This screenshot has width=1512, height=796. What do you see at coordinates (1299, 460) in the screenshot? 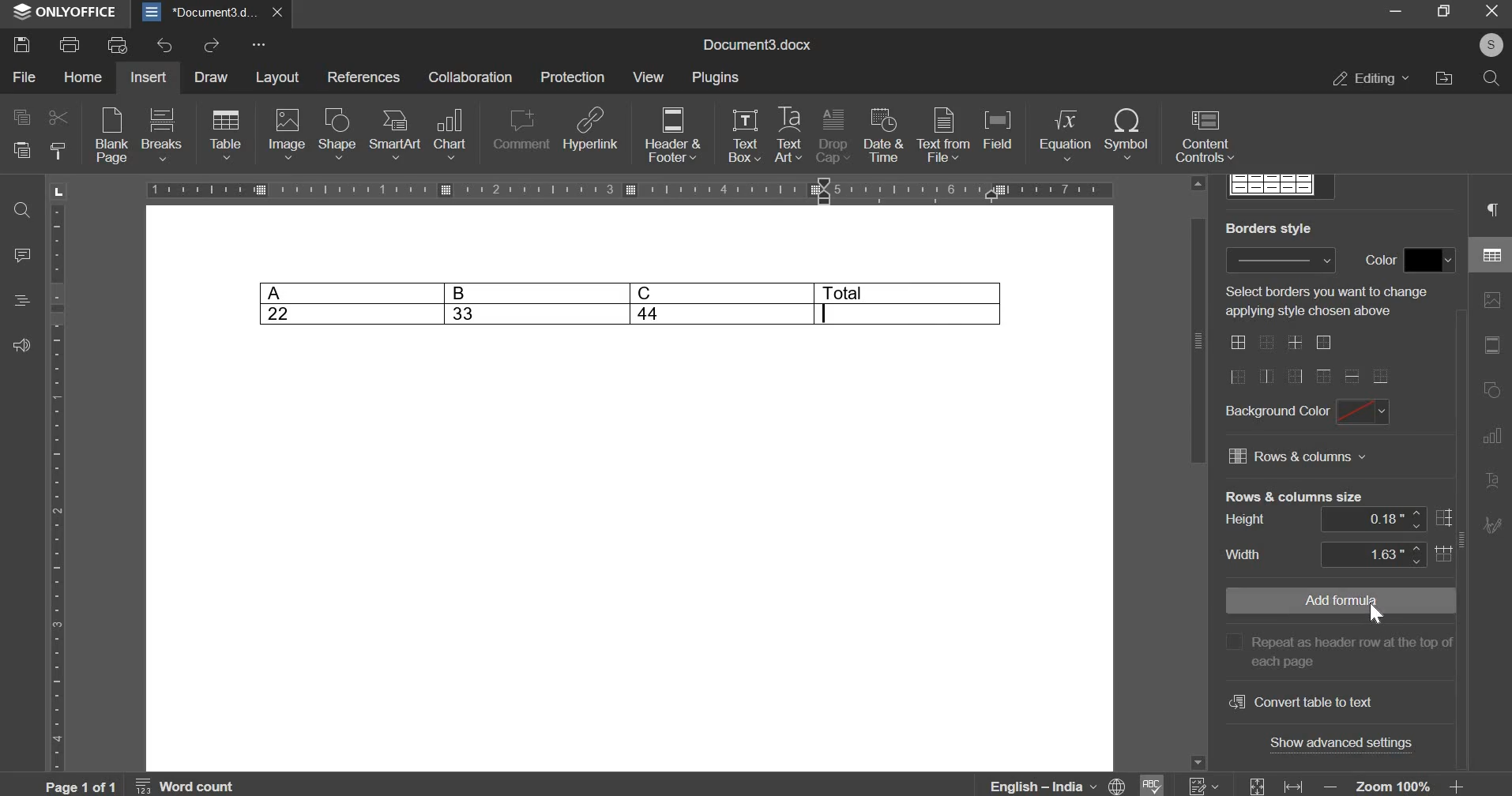
I see `rows and columns` at bounding box center [1299, 460].